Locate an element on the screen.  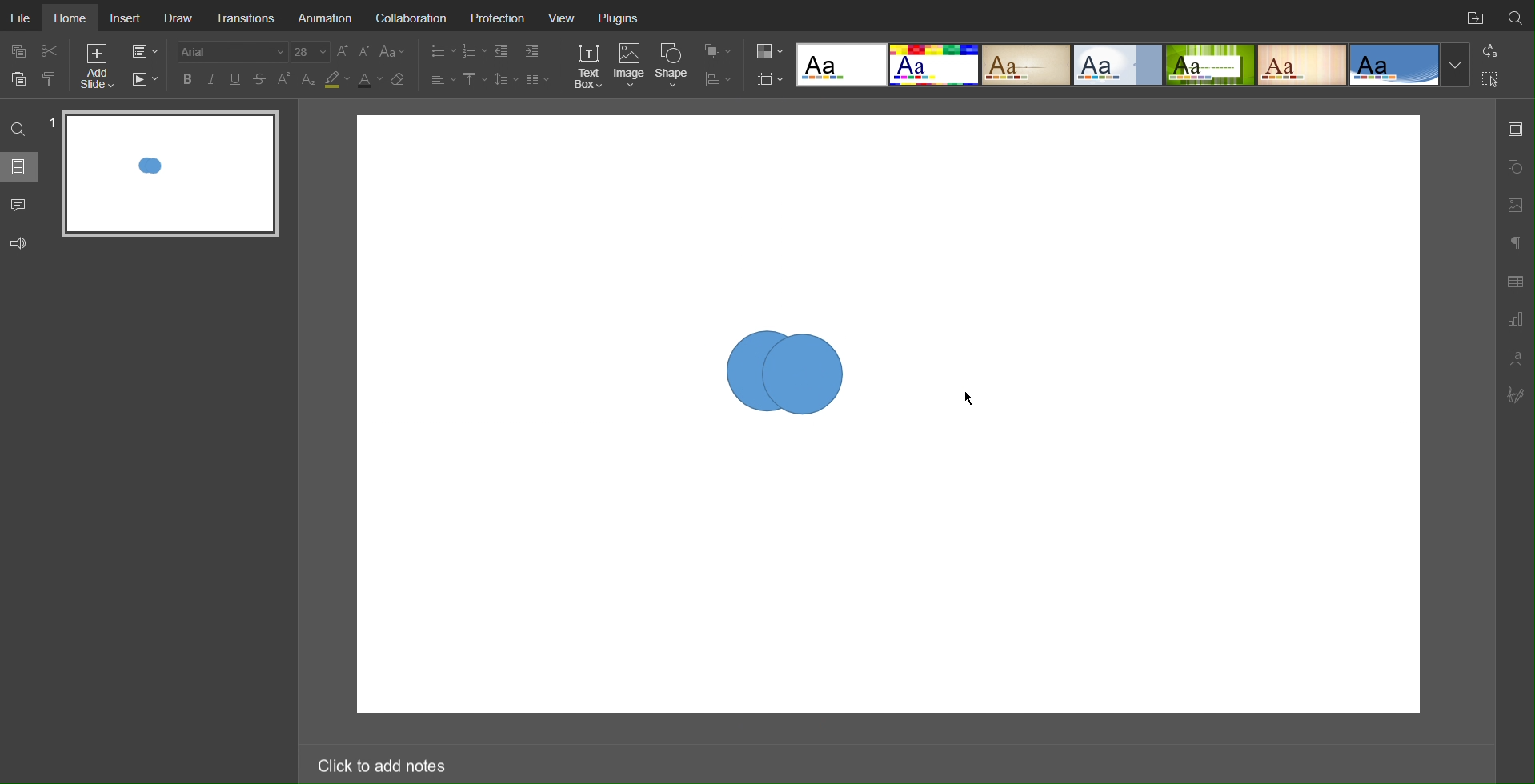
Add Slide is located at coordinates (96, 69).